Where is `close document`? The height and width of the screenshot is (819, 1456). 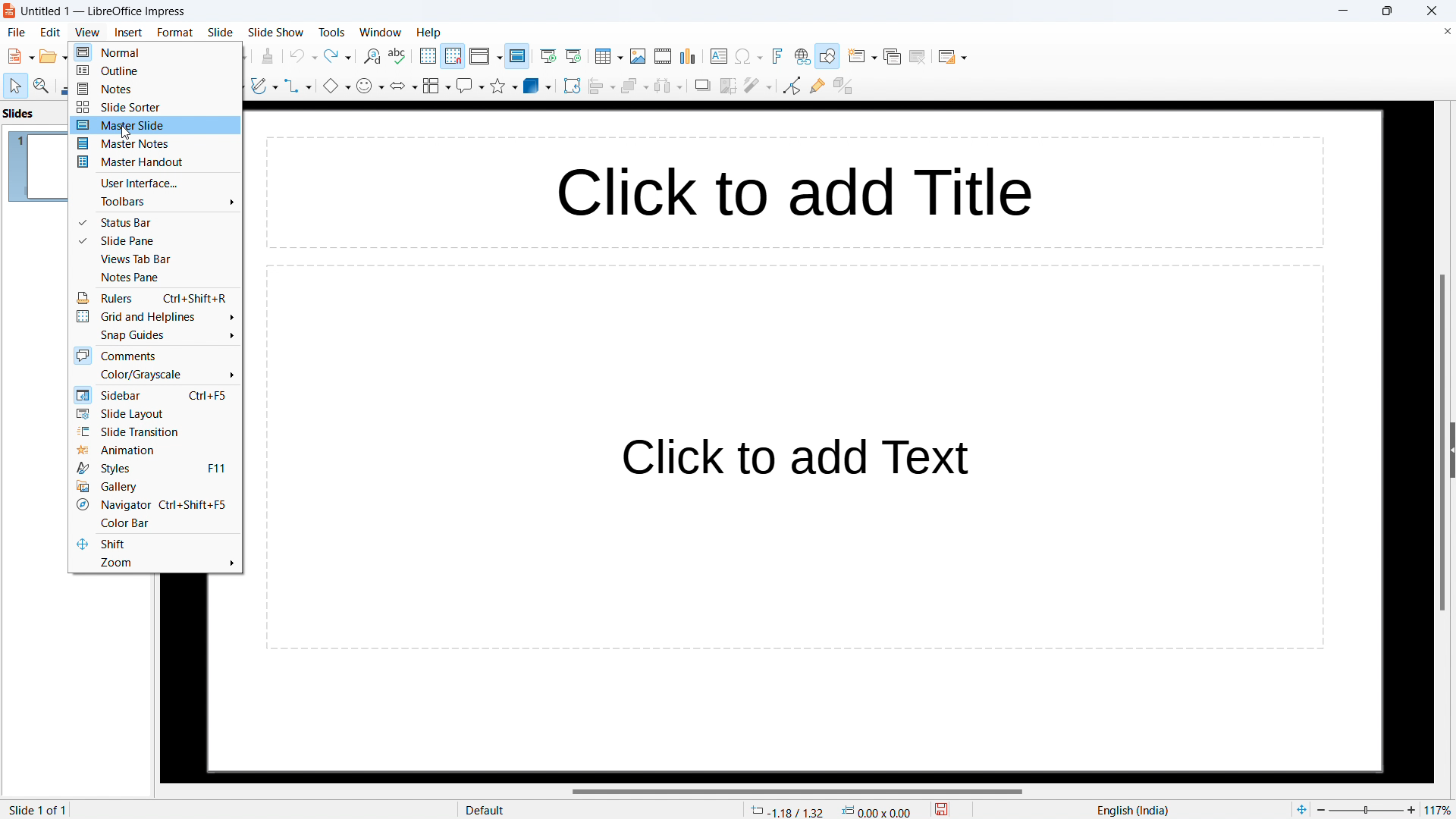
close document is located at coordinates (1446, 31).